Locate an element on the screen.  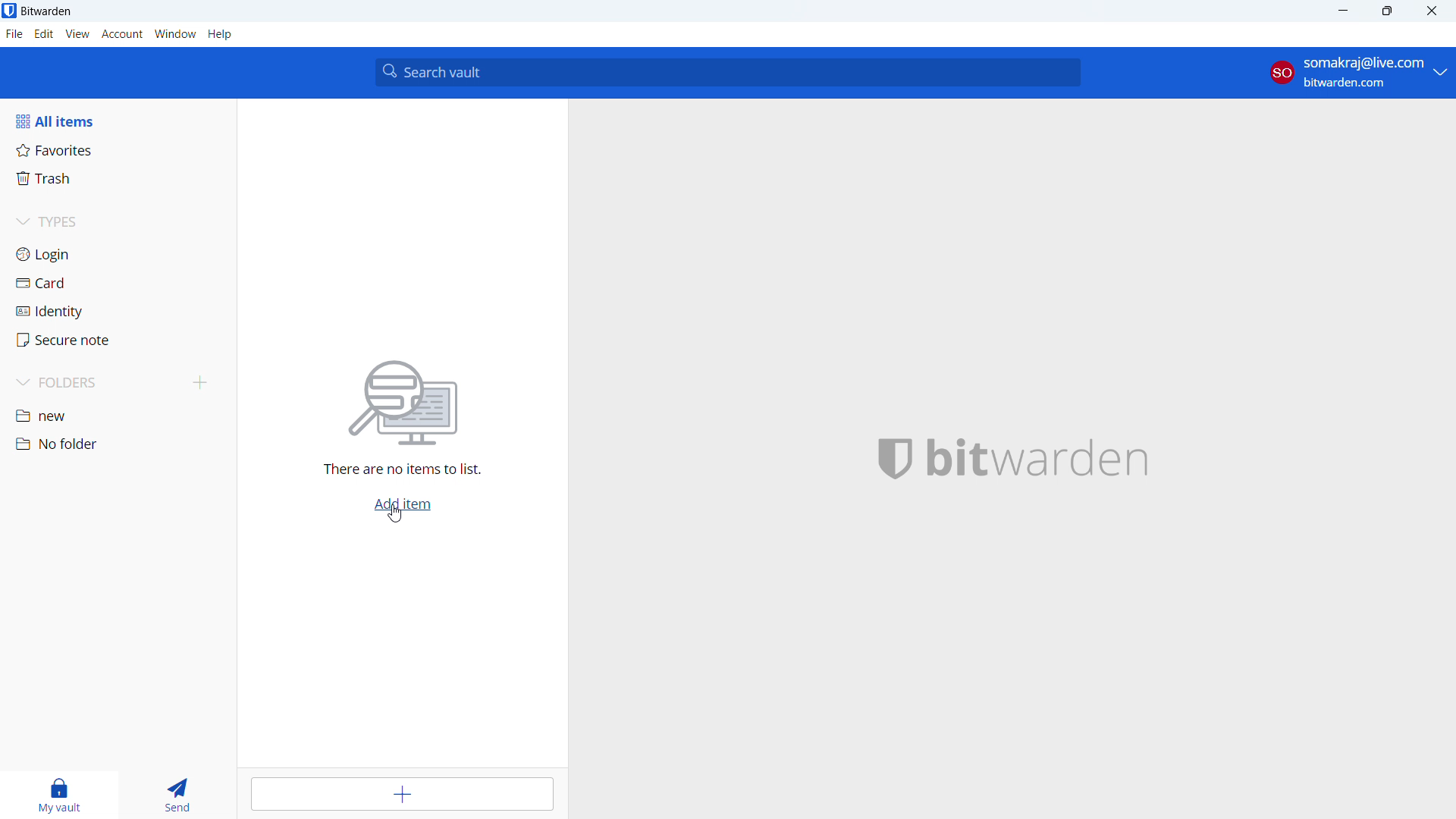
maximize is located at coordinates (1386, 11).